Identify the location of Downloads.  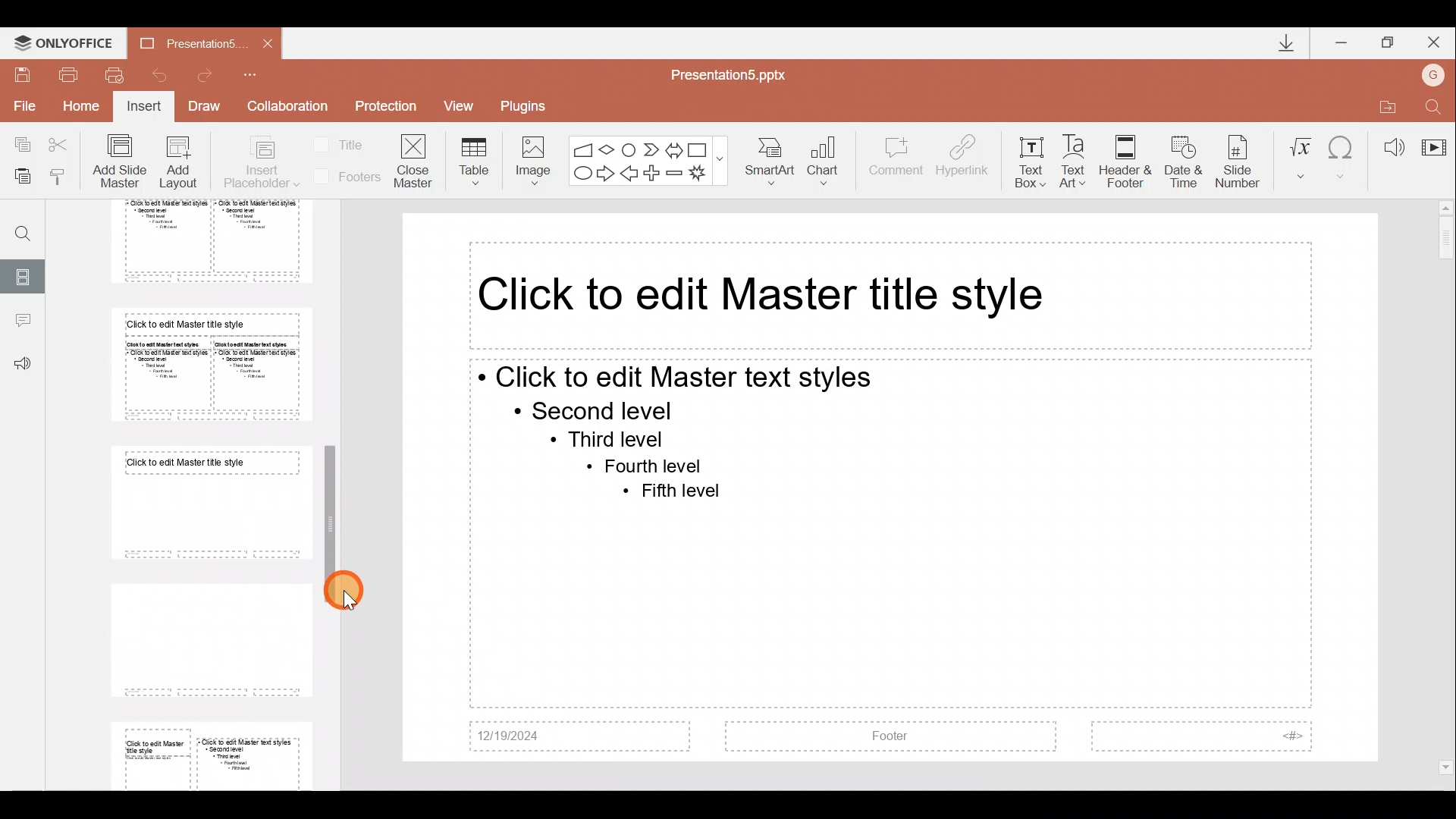
(1280, 42).